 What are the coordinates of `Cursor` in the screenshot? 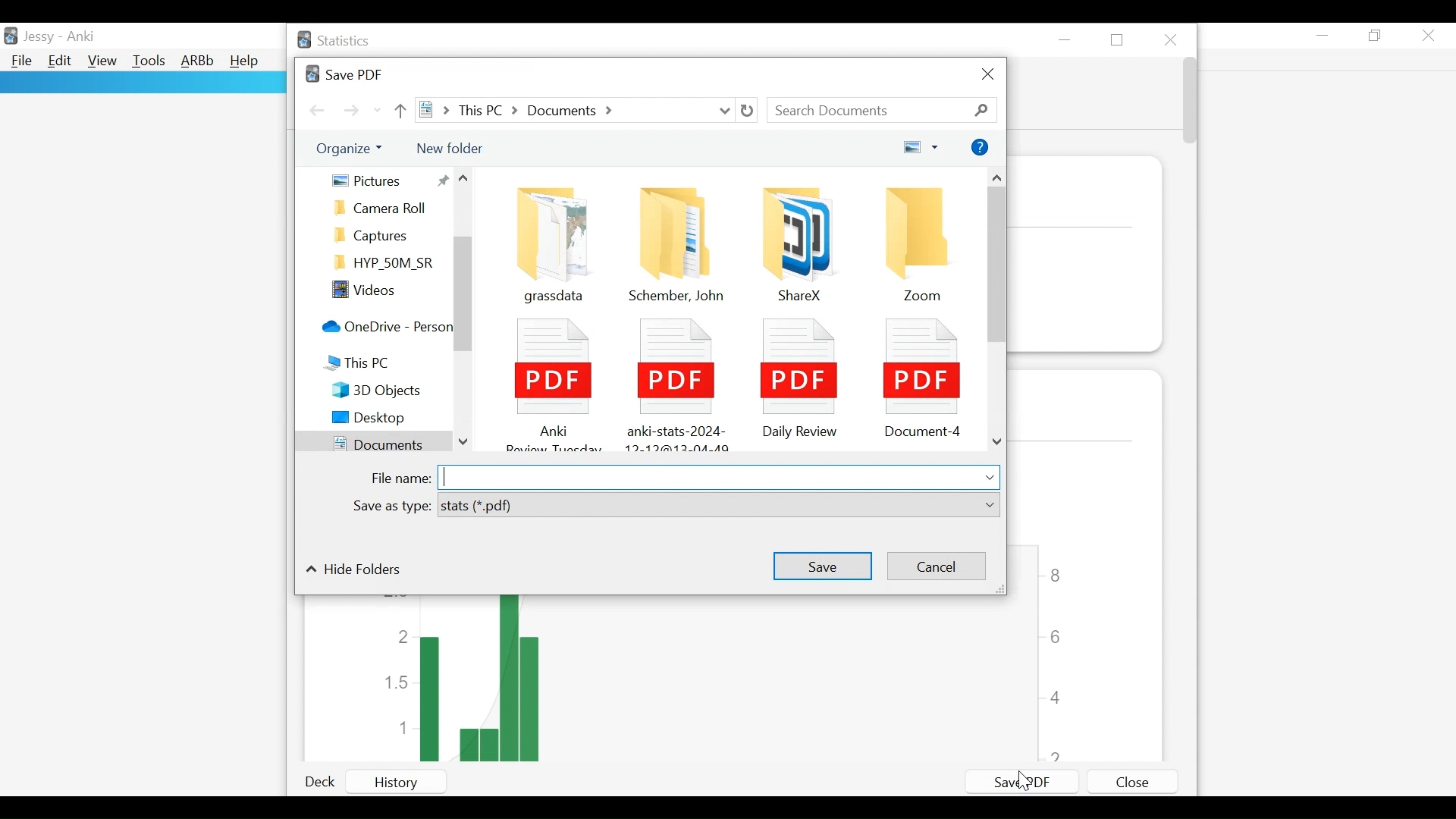 It's located at (1028, 783).